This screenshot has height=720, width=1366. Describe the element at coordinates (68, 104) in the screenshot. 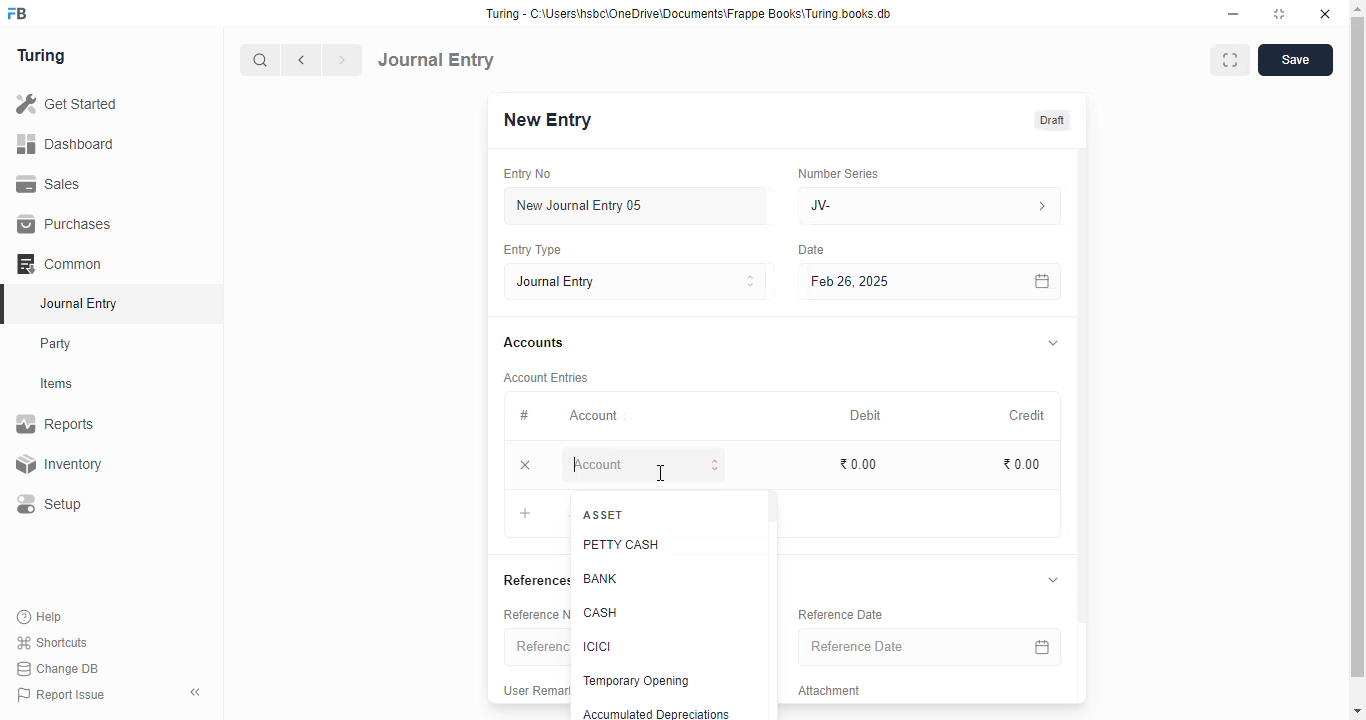

I see `get started` at that location.